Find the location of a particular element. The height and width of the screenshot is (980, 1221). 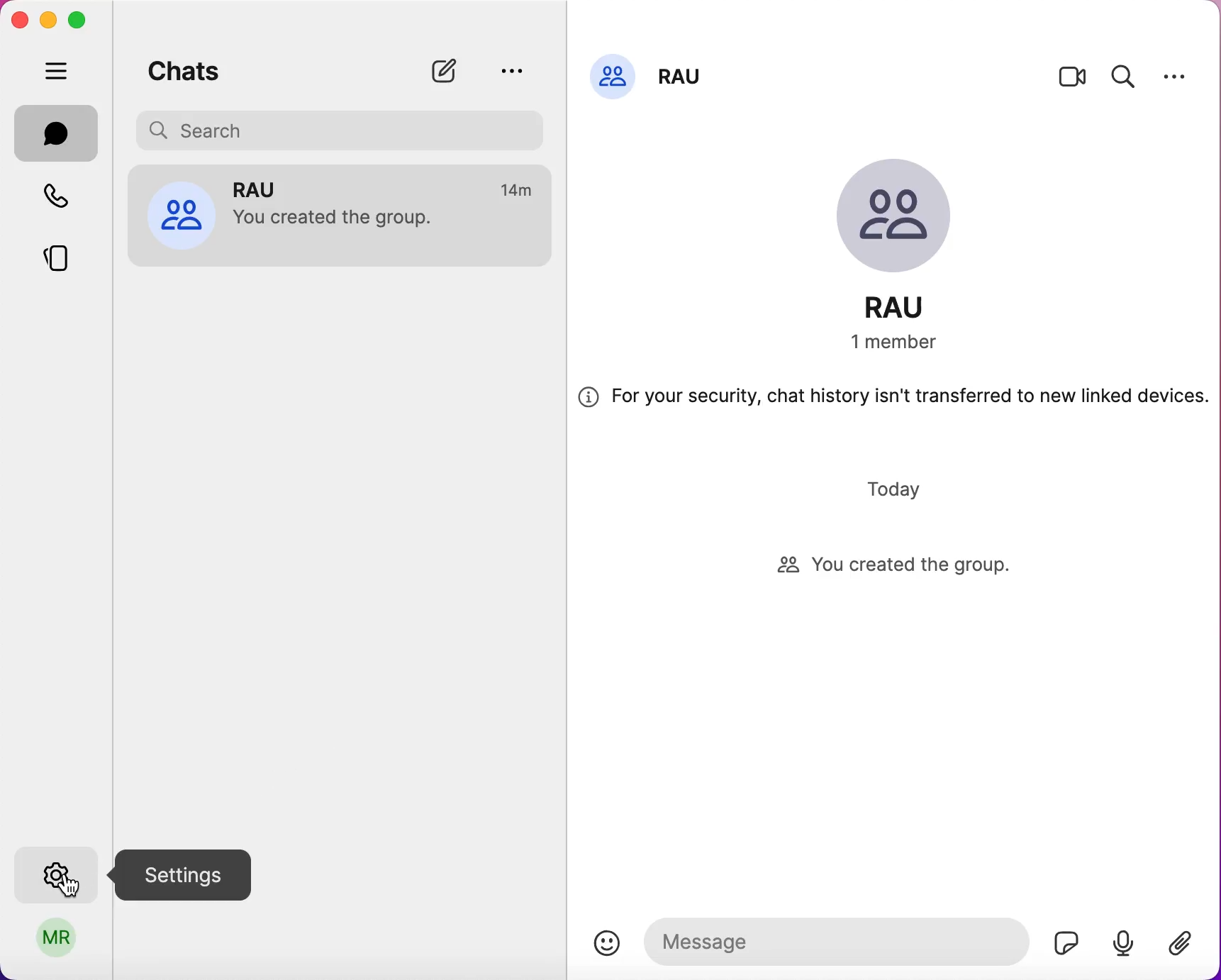

attach is located at coordinates (1183, 943).